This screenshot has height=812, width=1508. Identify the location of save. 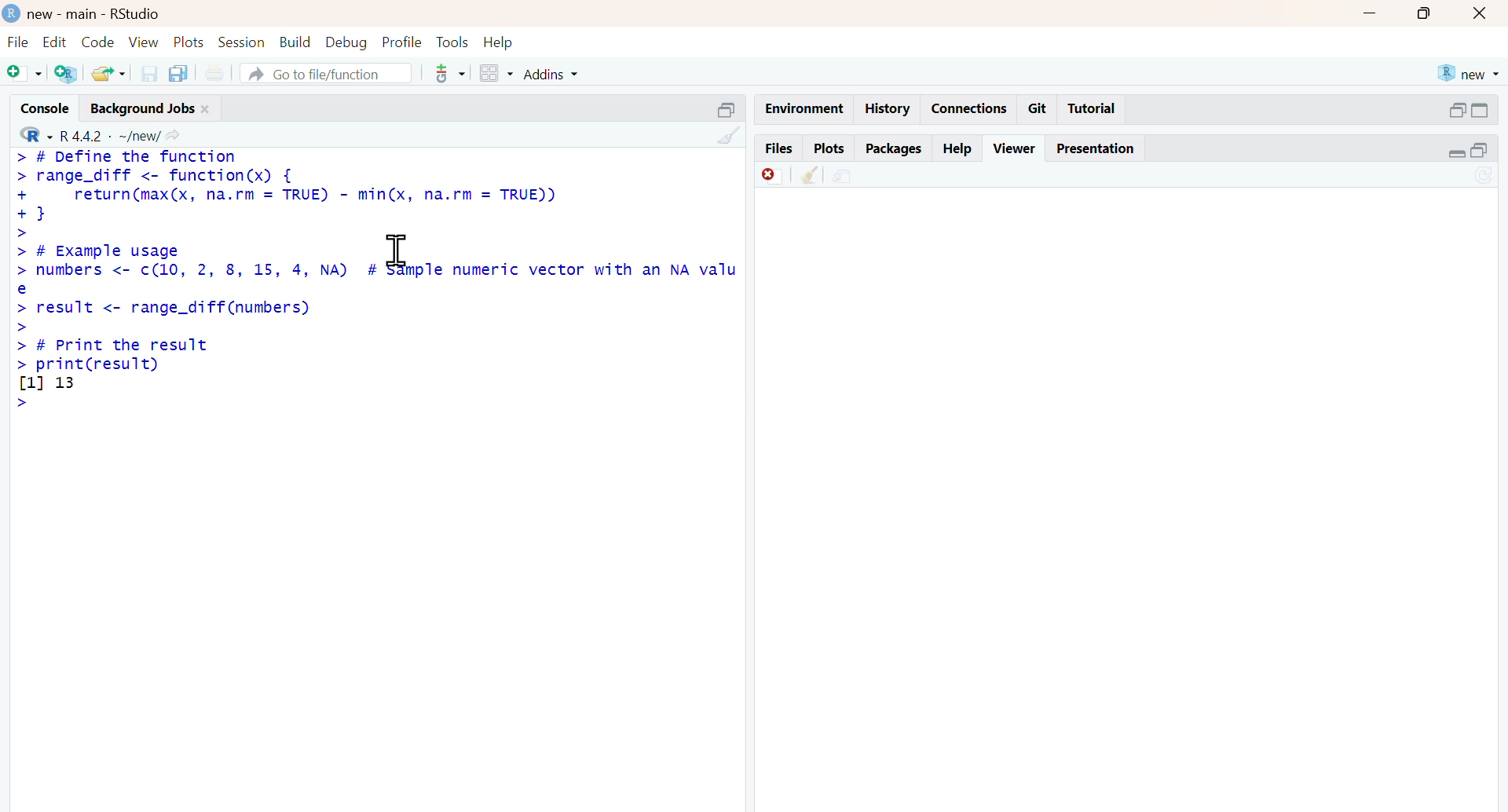
(151, 74).